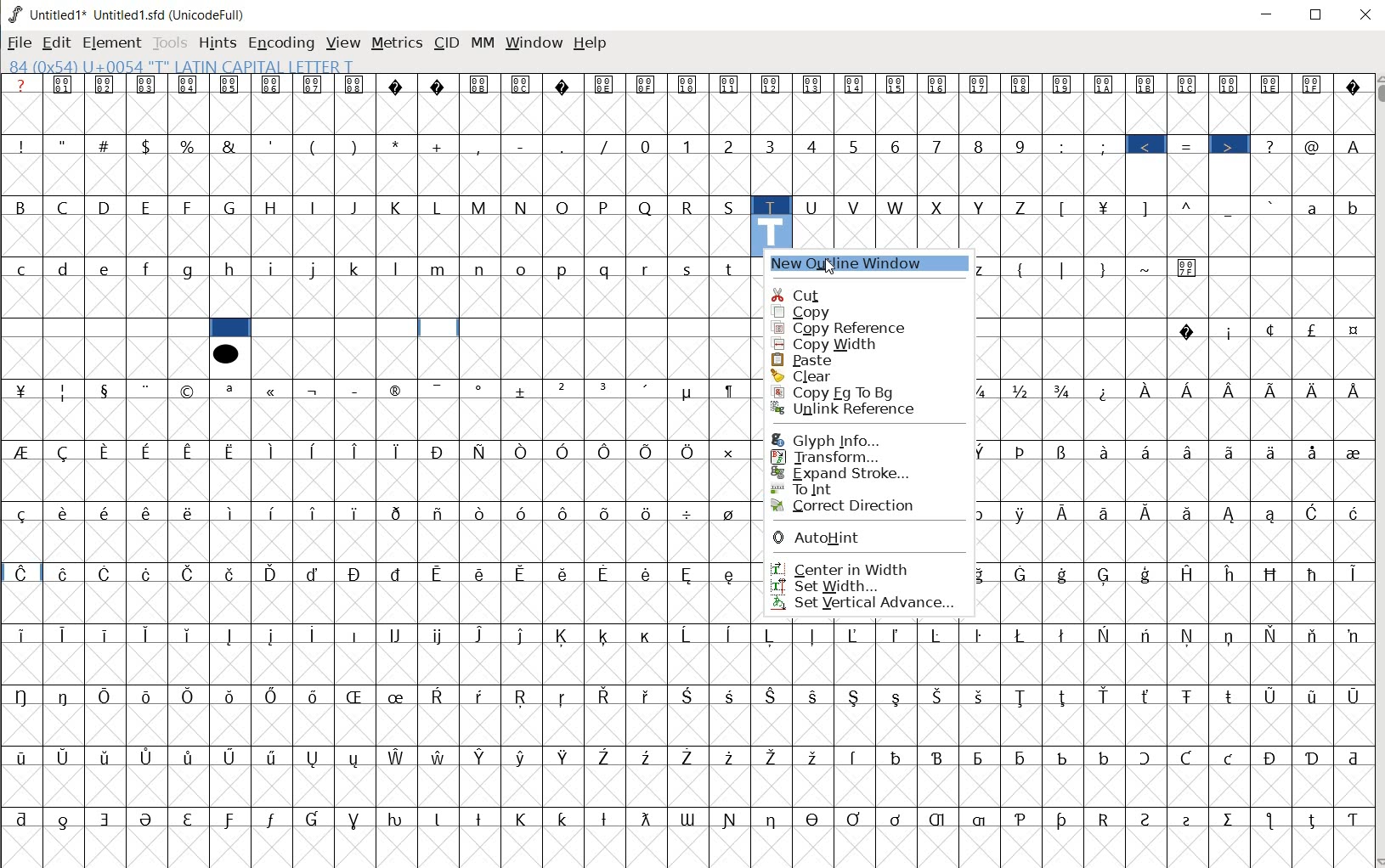 This screenshot has width=1385, height=868. What do you see at coordinates (315, 84) in the screenshot?
I see `Symbol` at bounding box center [315, 84].